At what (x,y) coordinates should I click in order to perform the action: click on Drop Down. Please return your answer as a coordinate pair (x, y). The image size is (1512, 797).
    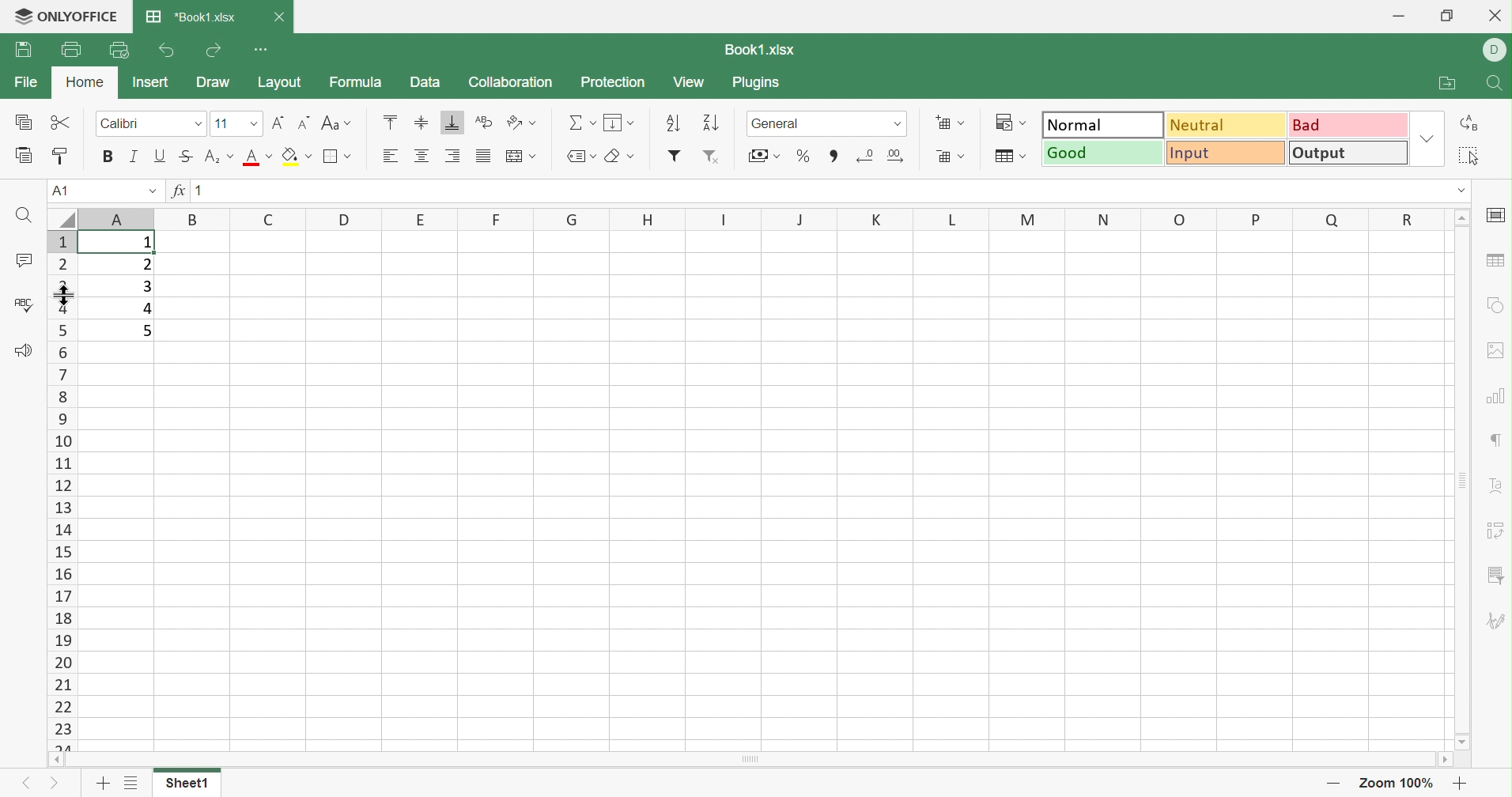
    Looking at the image, I should click on (1023, 155).